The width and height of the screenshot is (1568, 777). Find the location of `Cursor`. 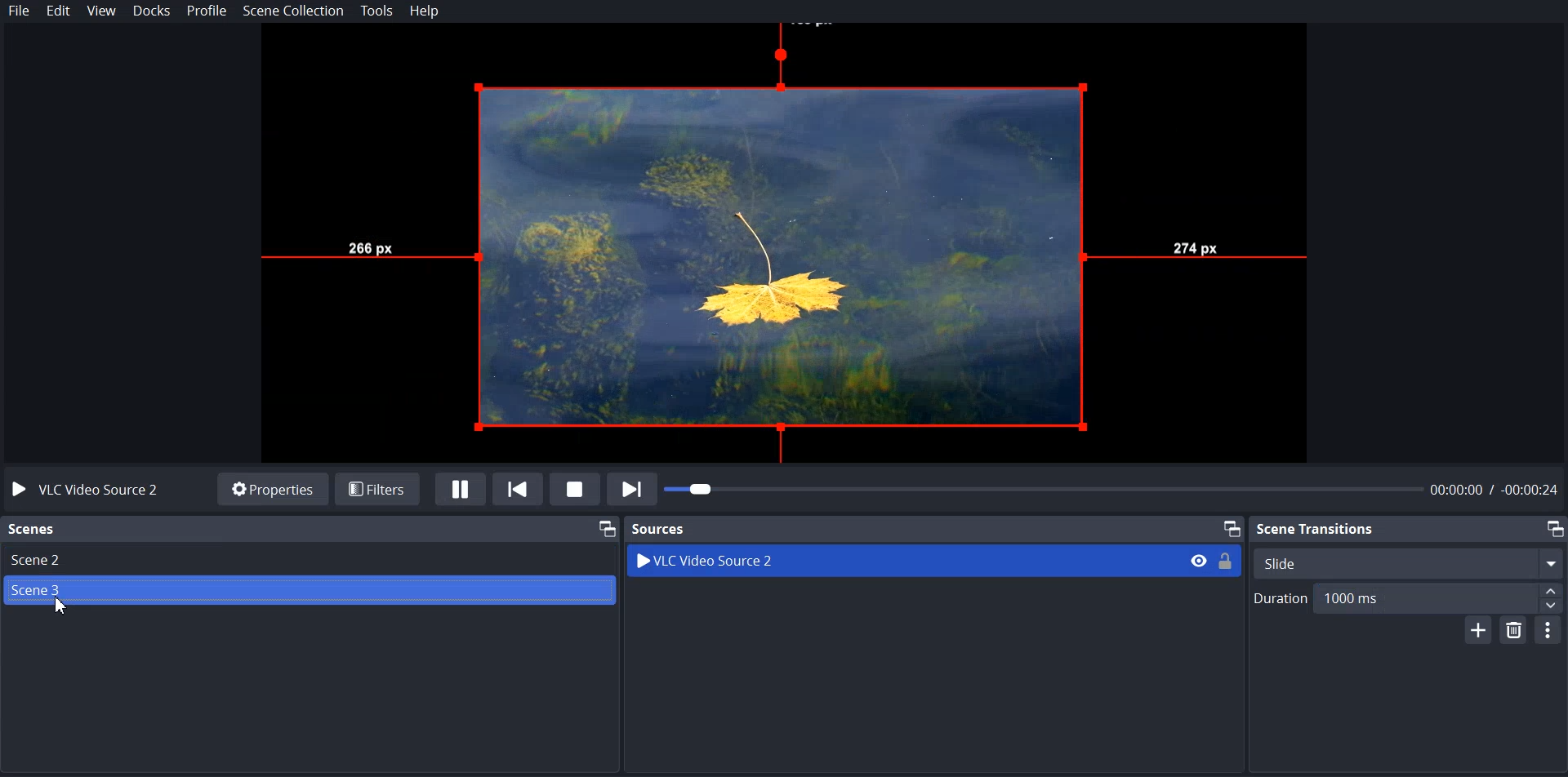

Cursor is located at coordinates (62, 606).